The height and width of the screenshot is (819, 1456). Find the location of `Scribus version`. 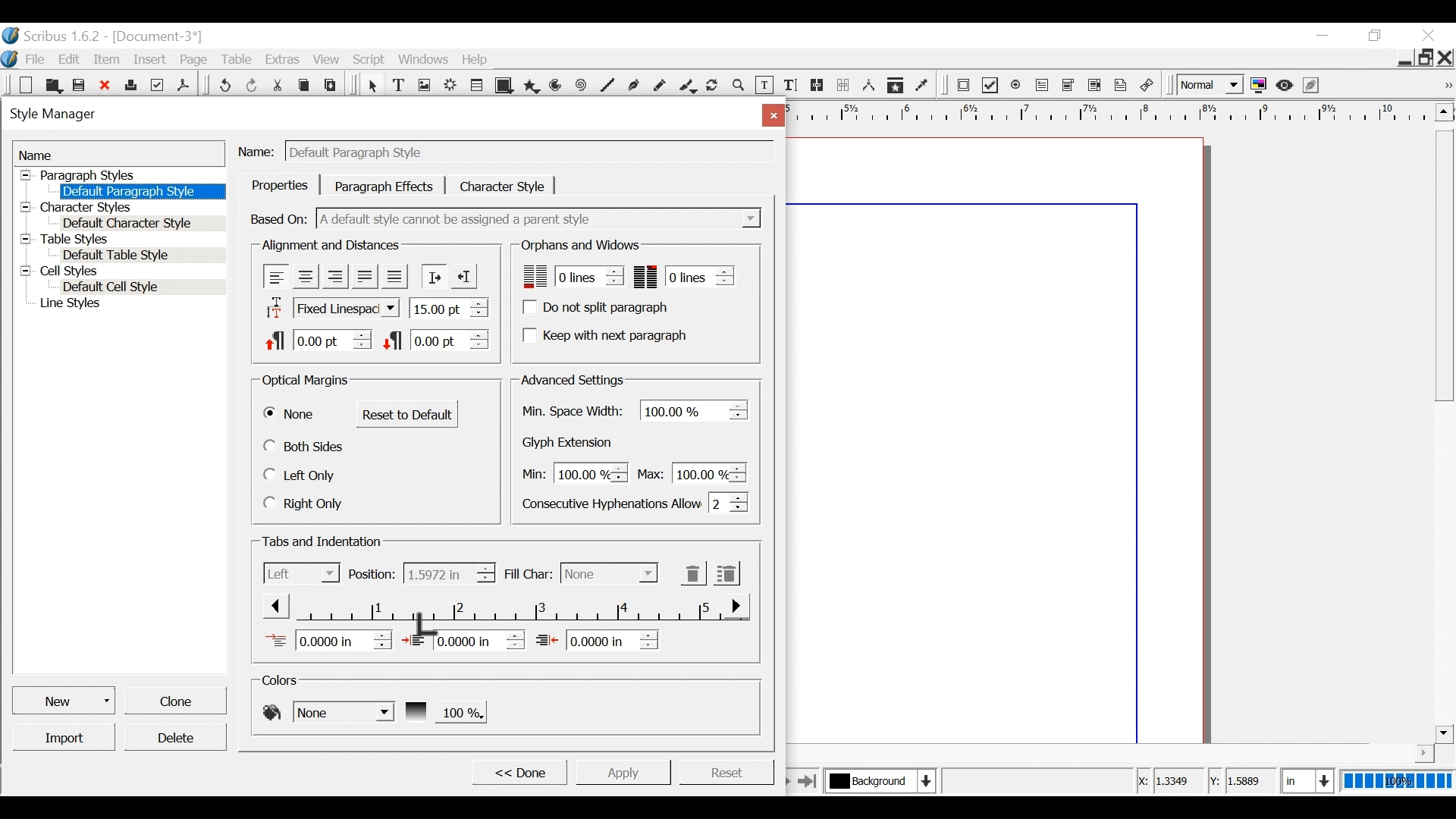

Scribus version is located at coordinates (52, 36).